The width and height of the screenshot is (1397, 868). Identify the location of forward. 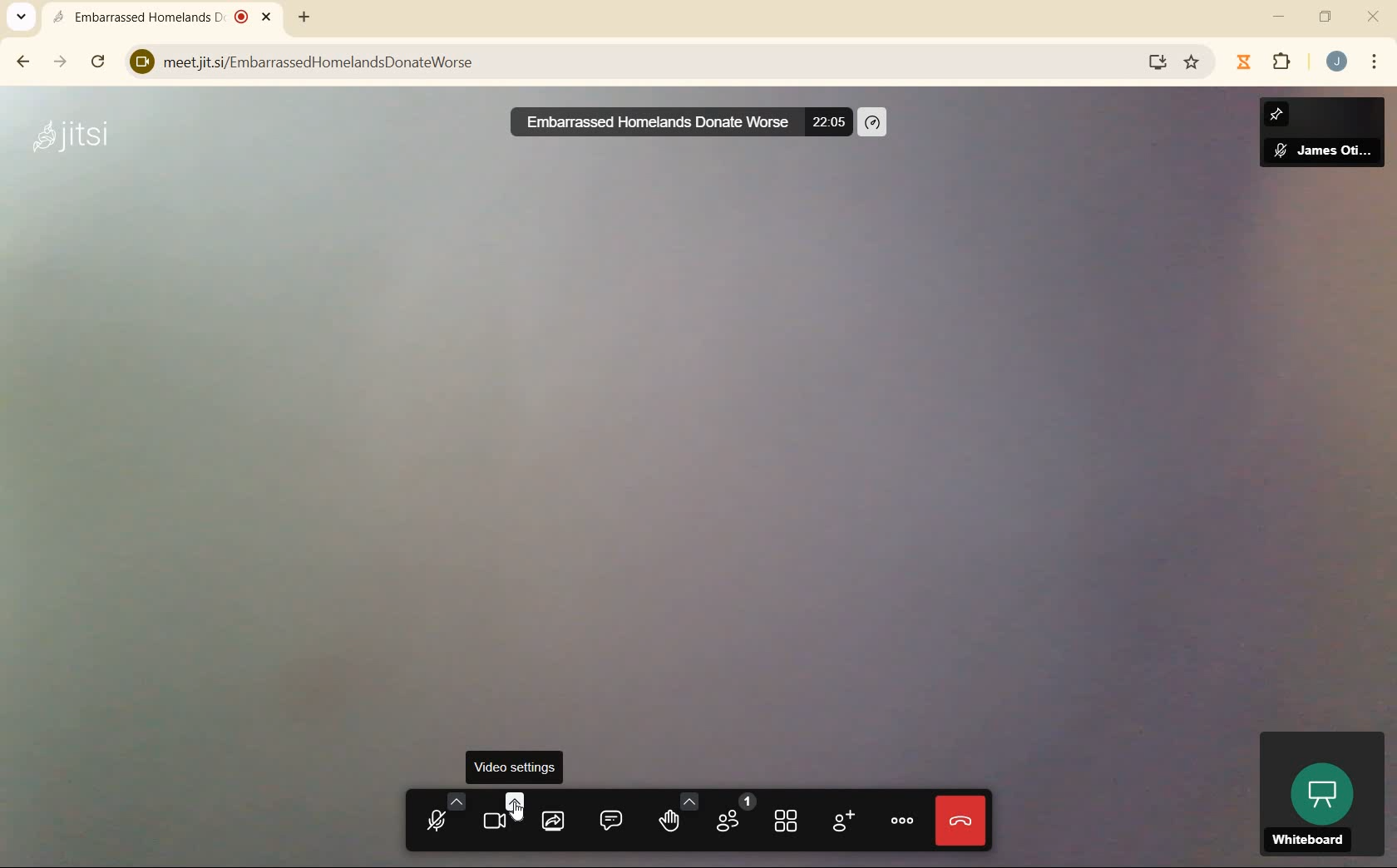
(61, 63).